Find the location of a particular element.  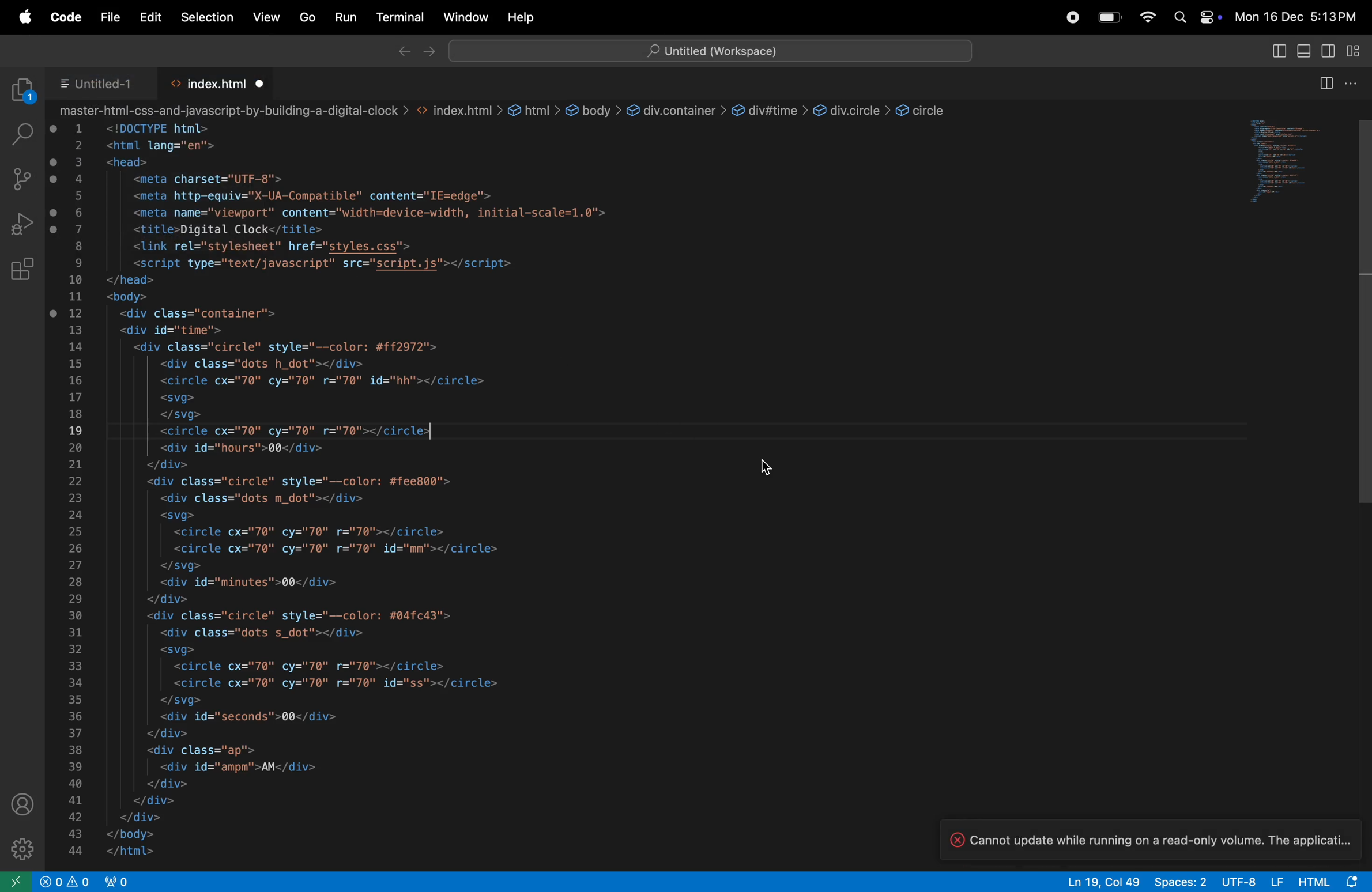

wifi is located at coordinates (1146, 17).